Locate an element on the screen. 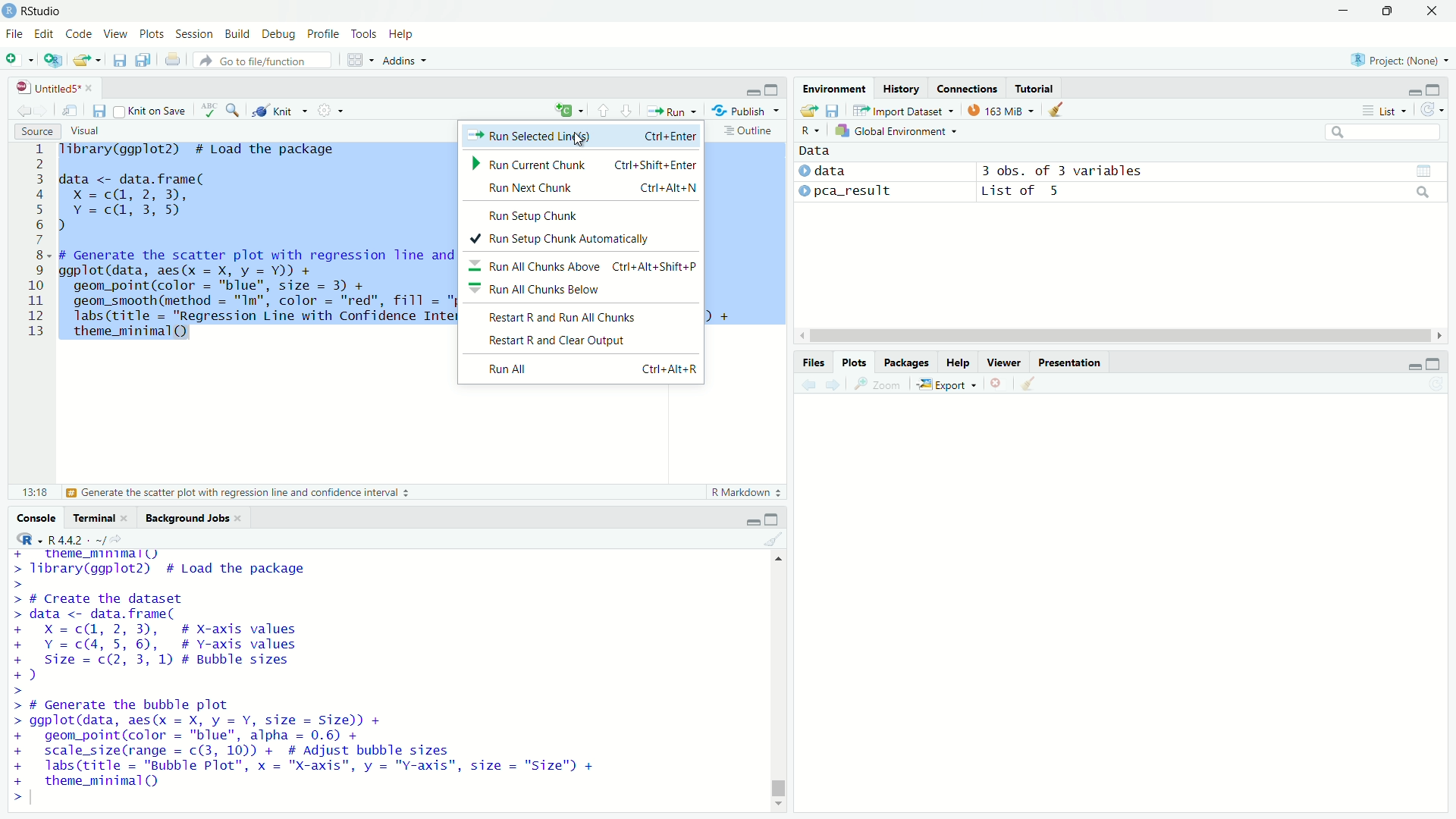  Files is located at coordinates (814, 362).